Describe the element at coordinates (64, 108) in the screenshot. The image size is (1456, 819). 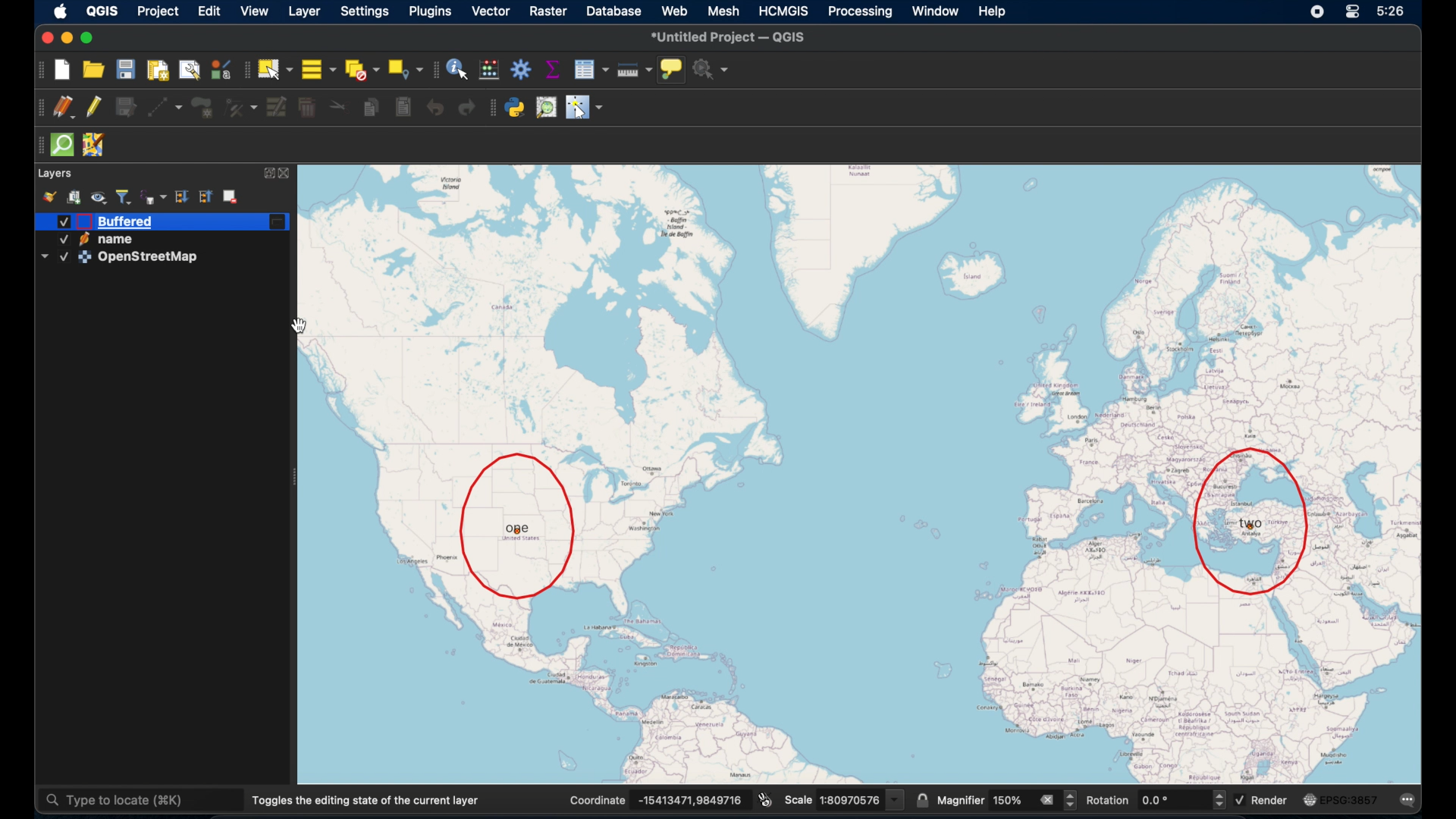
I see `current edits` at that location.